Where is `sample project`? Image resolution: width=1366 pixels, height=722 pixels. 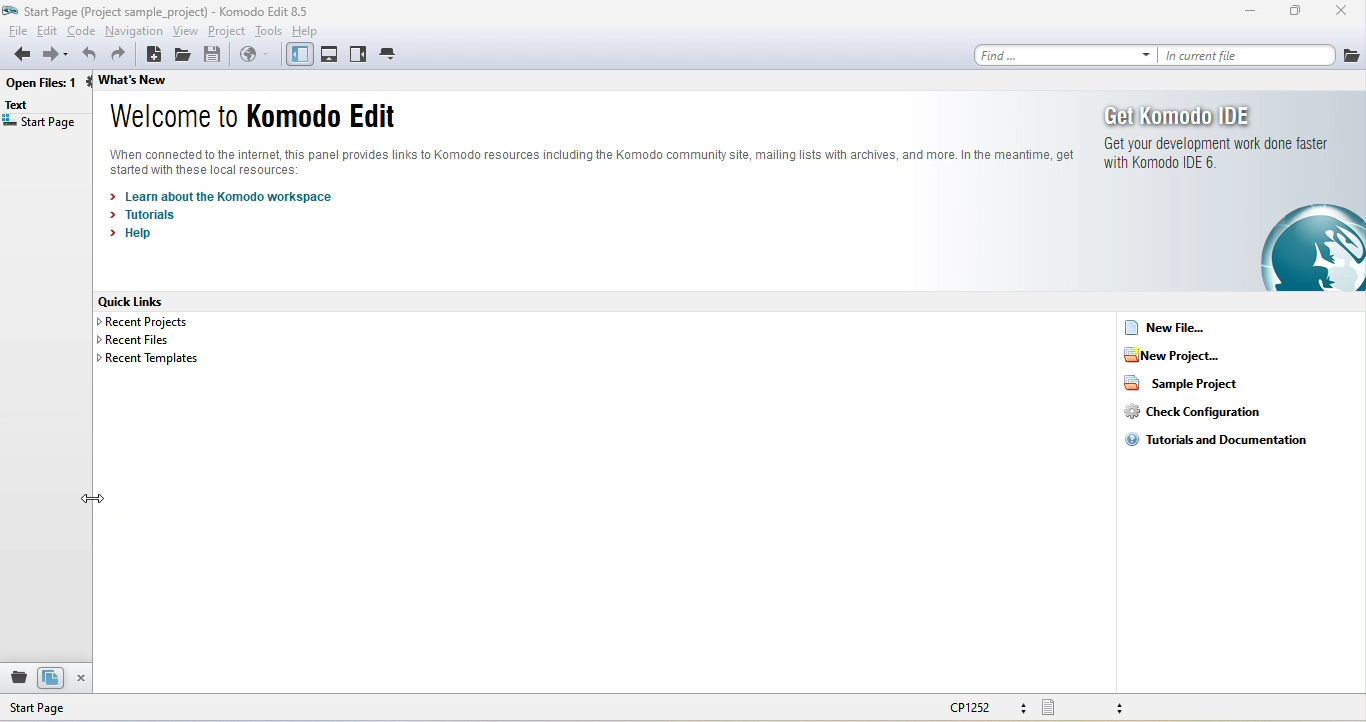
sample project is located at coordinates (1180, 382).